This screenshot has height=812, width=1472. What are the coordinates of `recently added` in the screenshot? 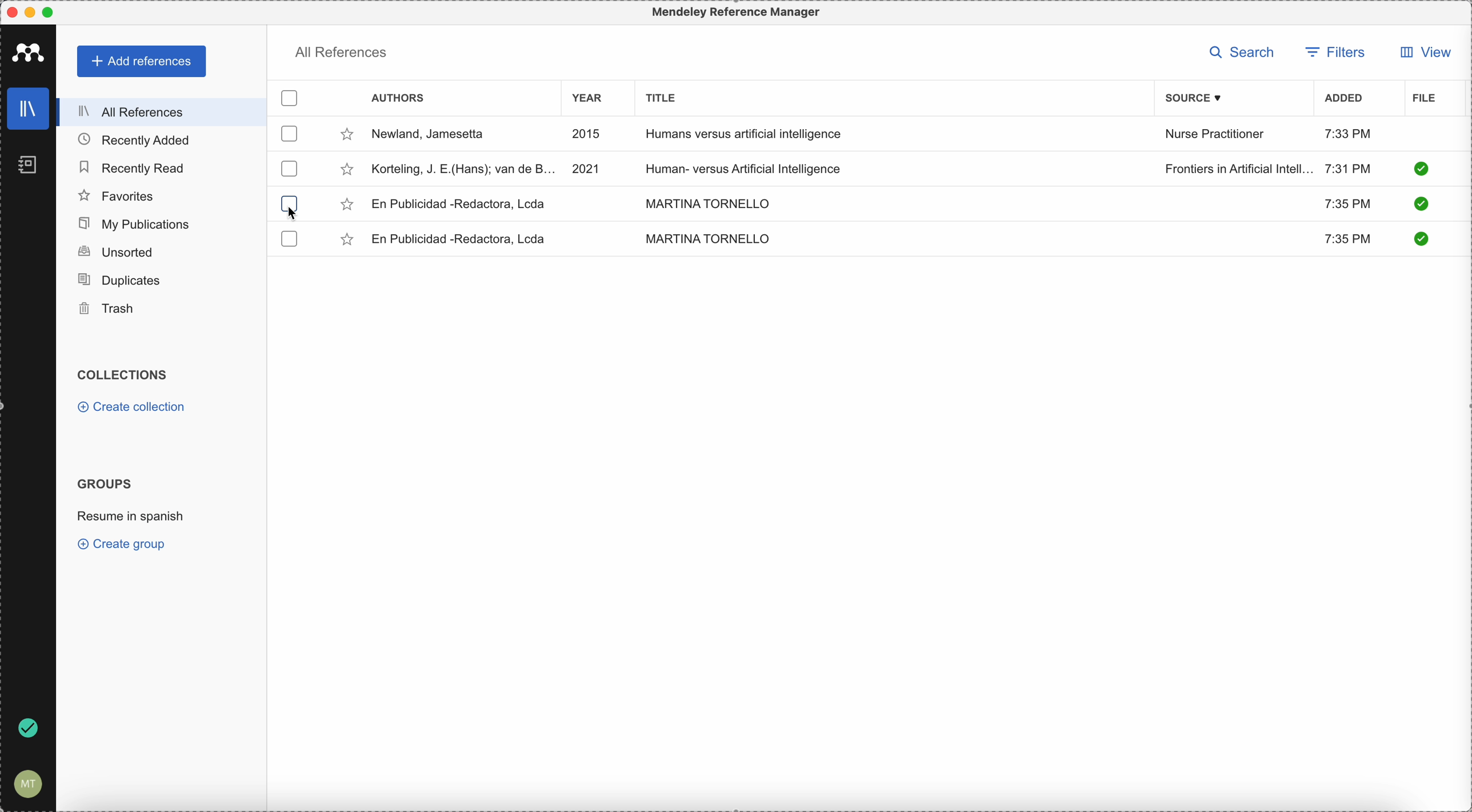 It's located at (143, 139).